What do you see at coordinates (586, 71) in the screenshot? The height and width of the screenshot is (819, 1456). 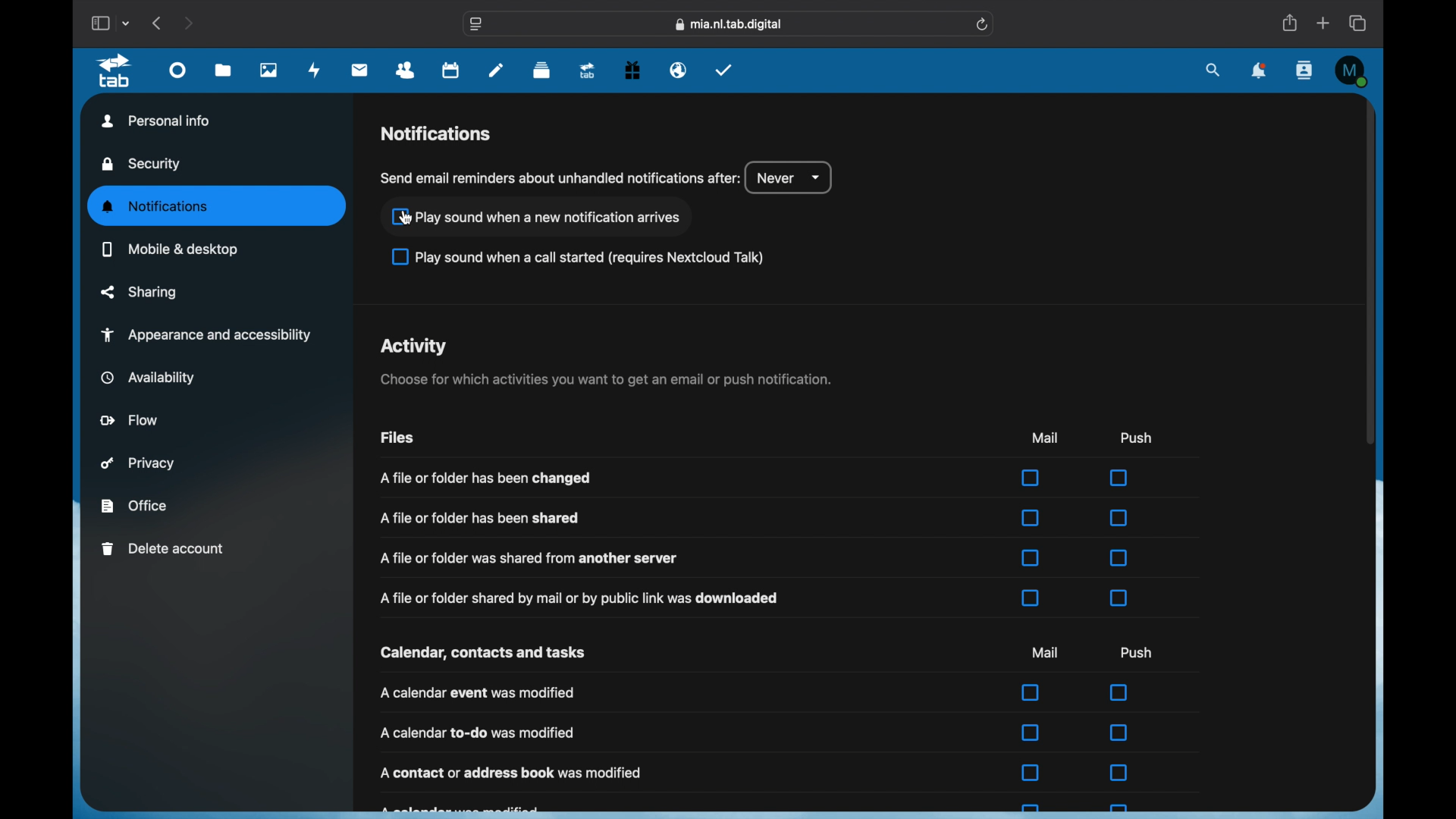 I see `upgrade` at bounding box center [586, 71].